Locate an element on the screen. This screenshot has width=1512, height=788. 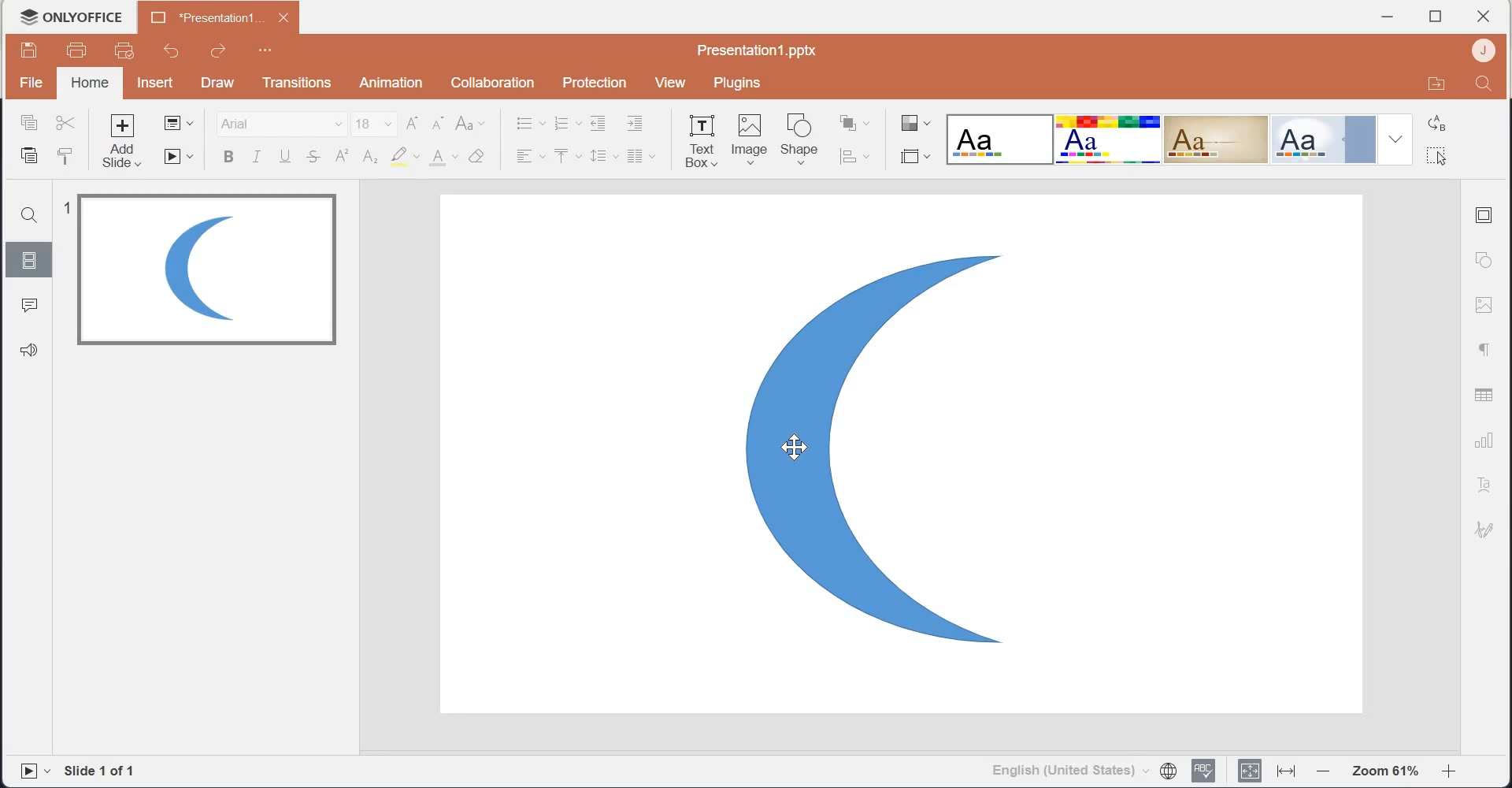
Cut is located at coordinates (67, 123).